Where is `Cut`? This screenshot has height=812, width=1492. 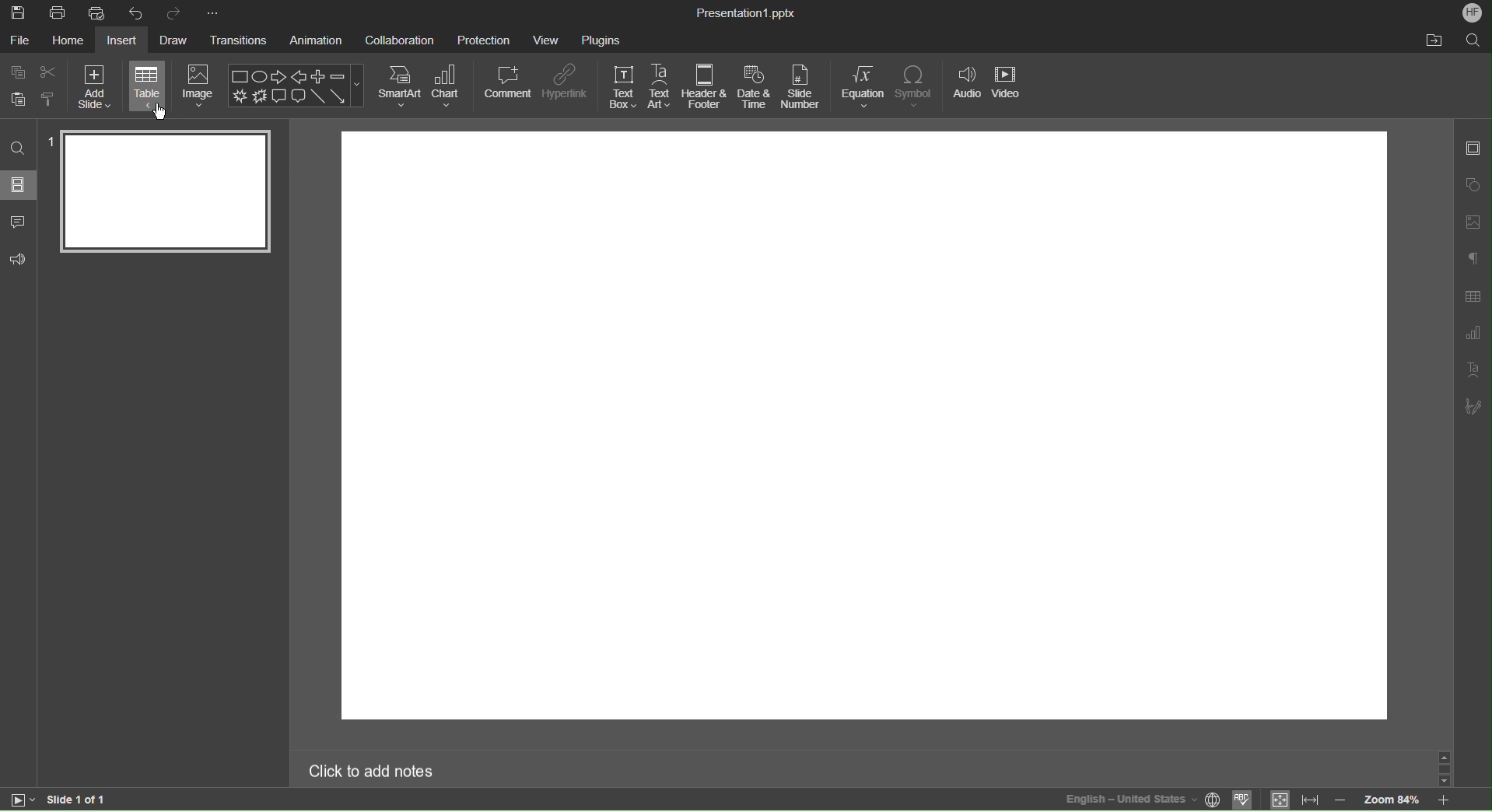
Cut is located at coordinates (50, 72).